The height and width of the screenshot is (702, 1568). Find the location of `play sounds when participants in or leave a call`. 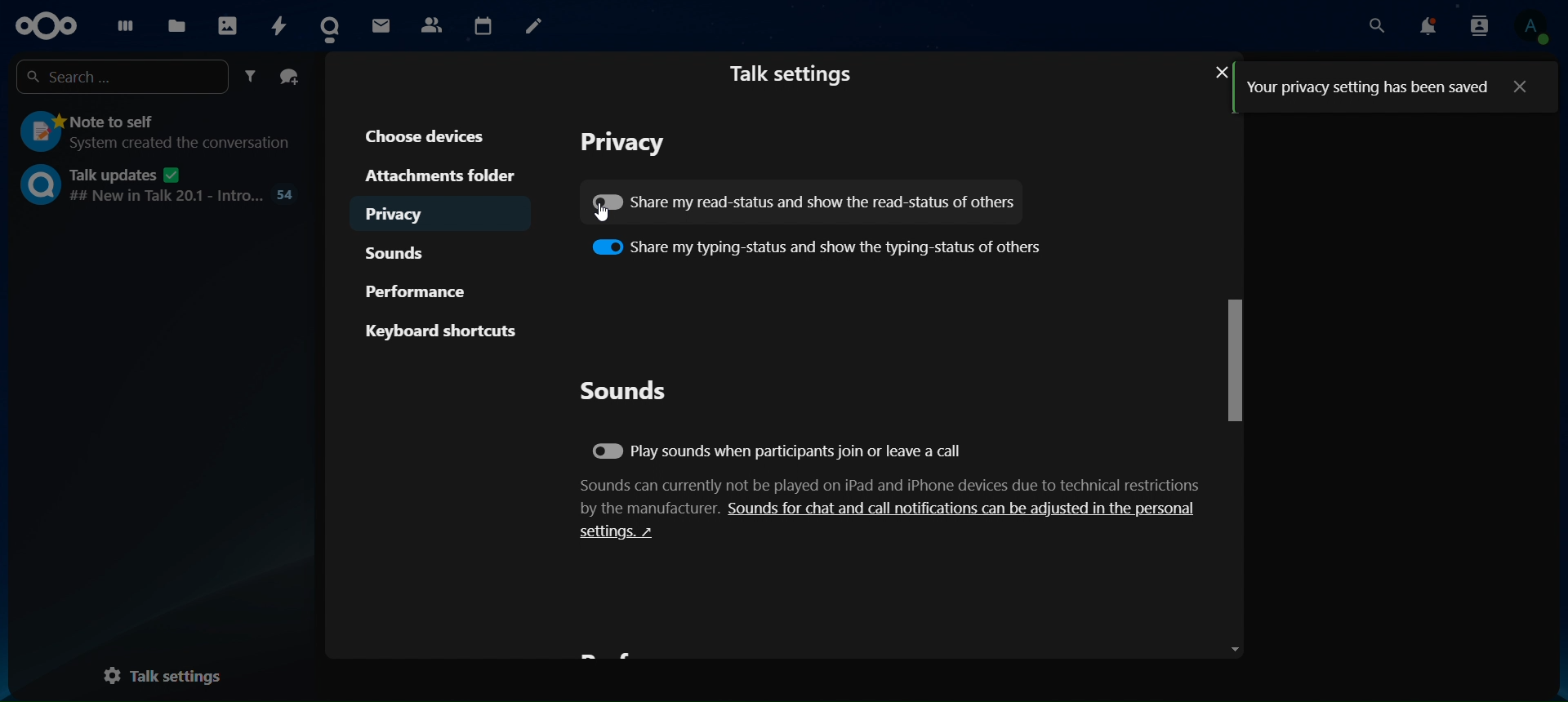

play sounds when participants in or leave a call is located at coordinates (780, 453).